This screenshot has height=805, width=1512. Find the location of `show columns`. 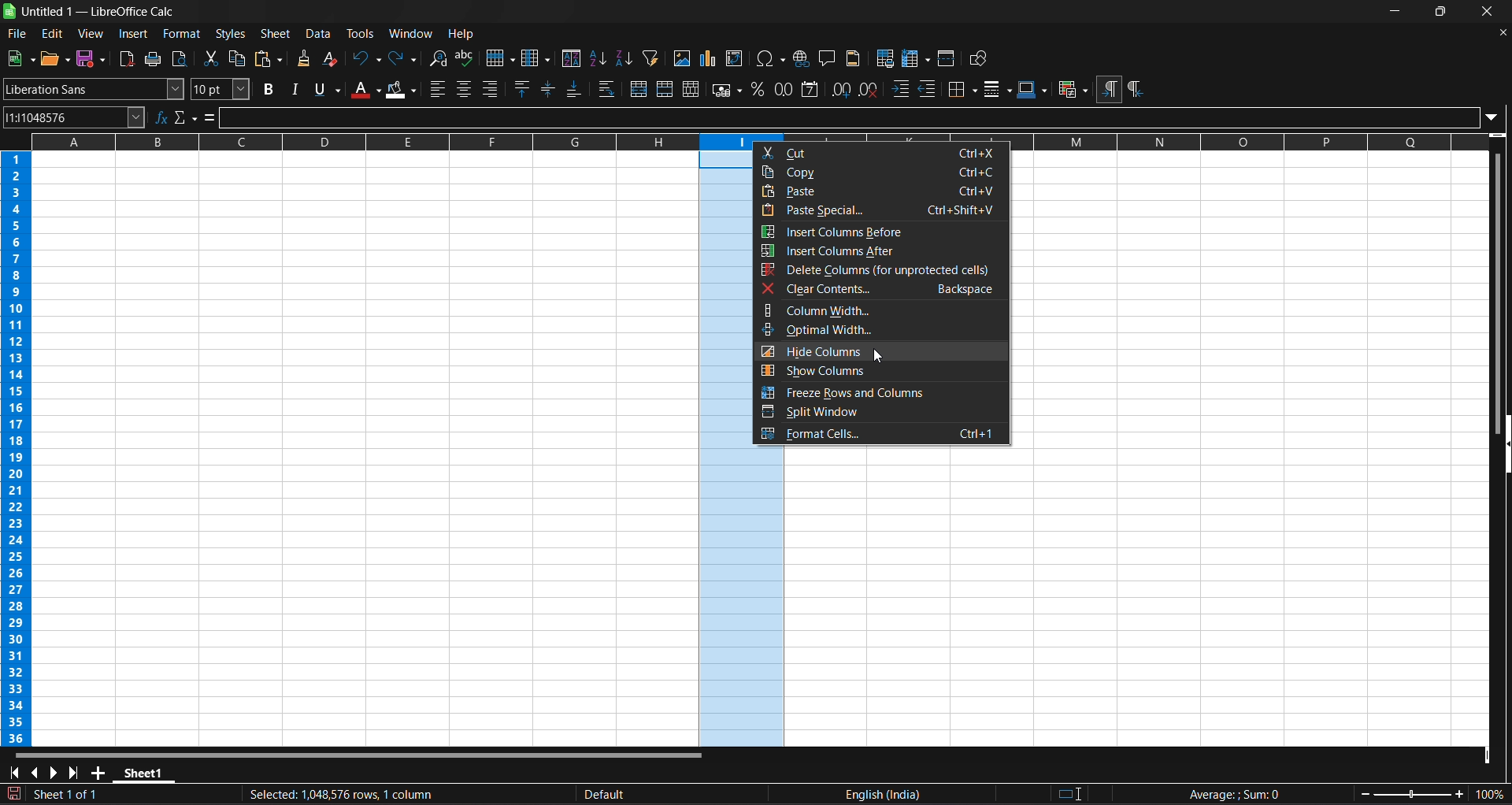

show columns is located at coordinates (881, 370).